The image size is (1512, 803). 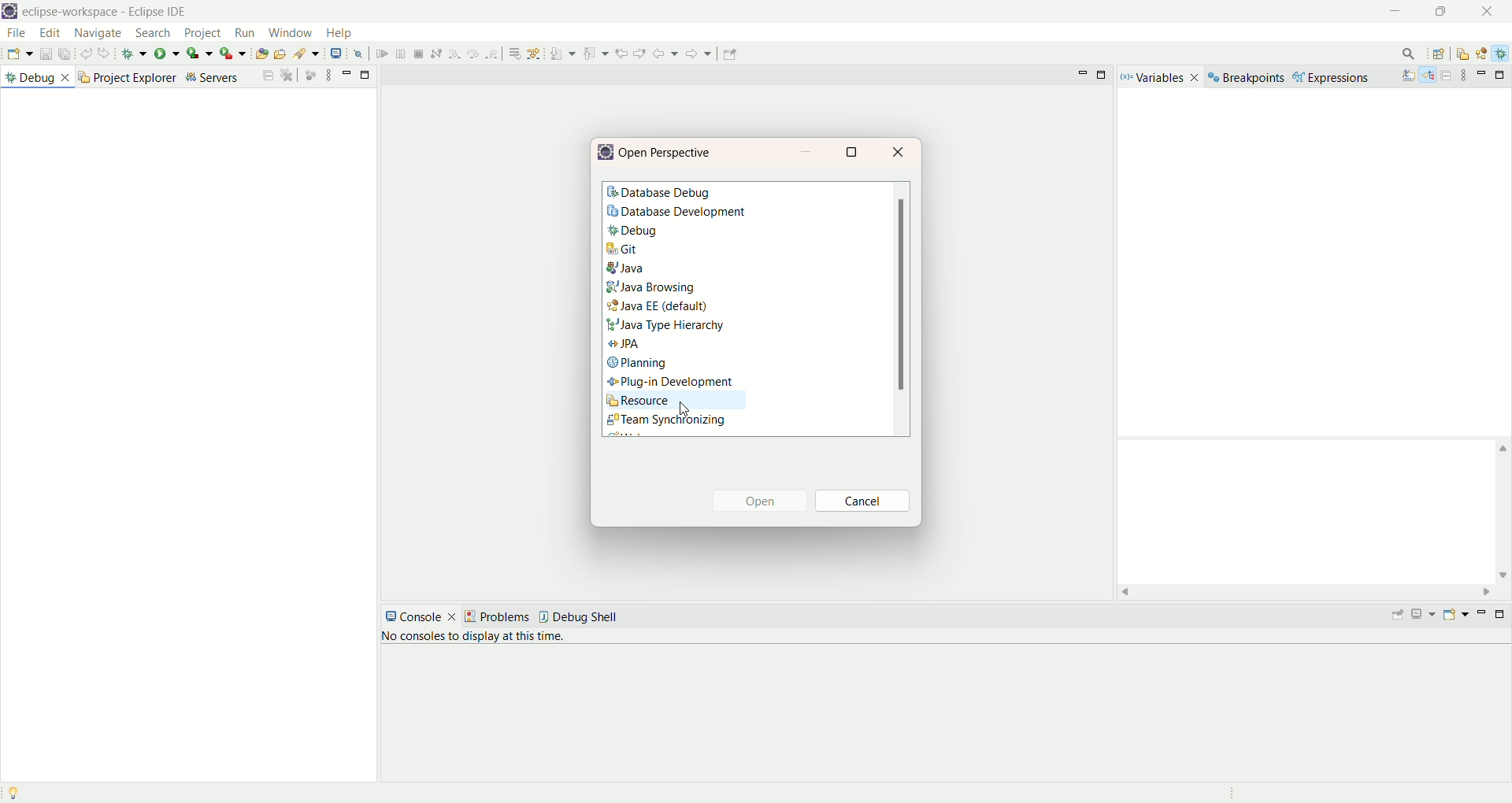 I want to click on open perspective, so click(x=668, y=153).